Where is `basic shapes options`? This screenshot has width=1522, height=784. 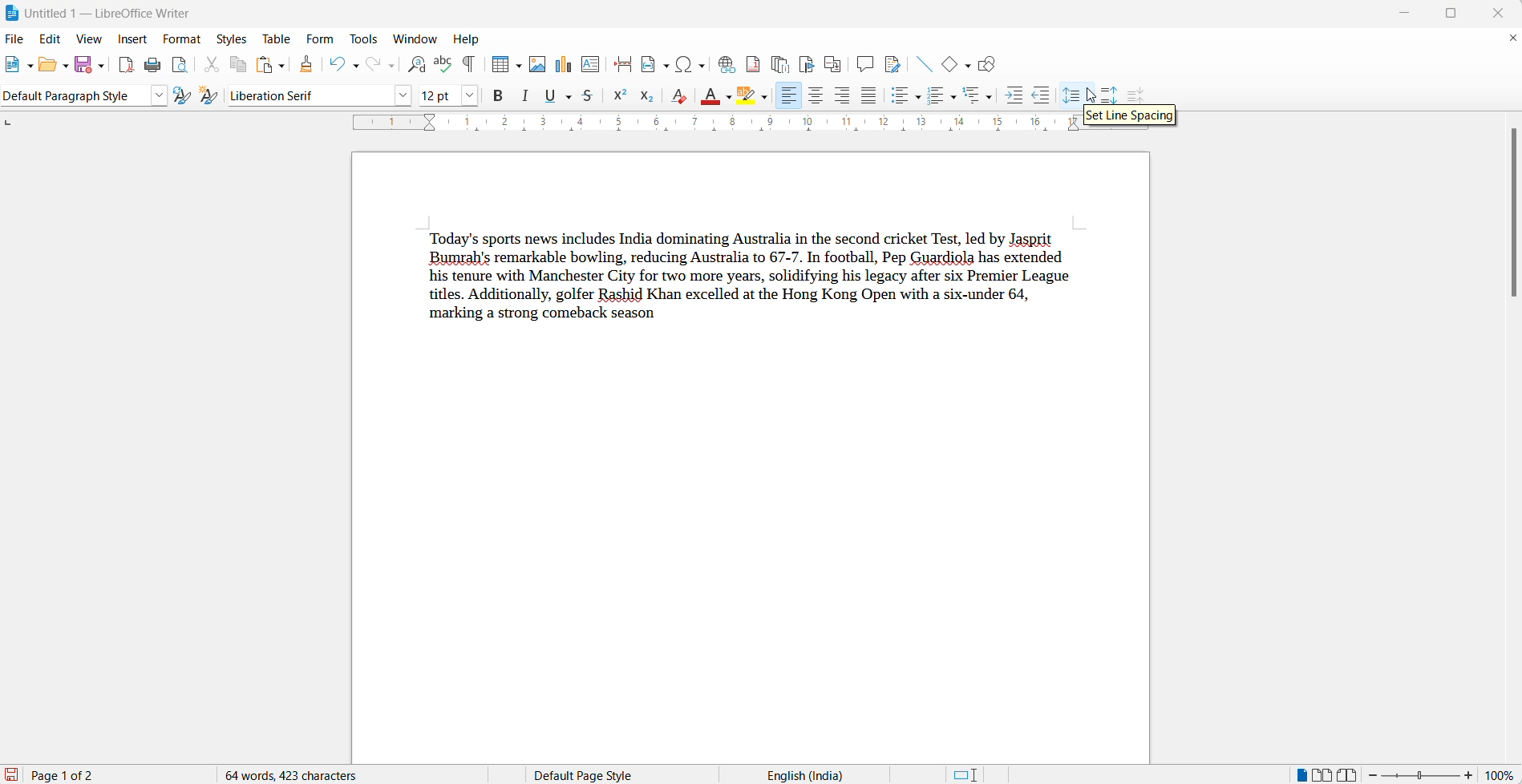 basic shapes options is located at coordinates (965, 66).